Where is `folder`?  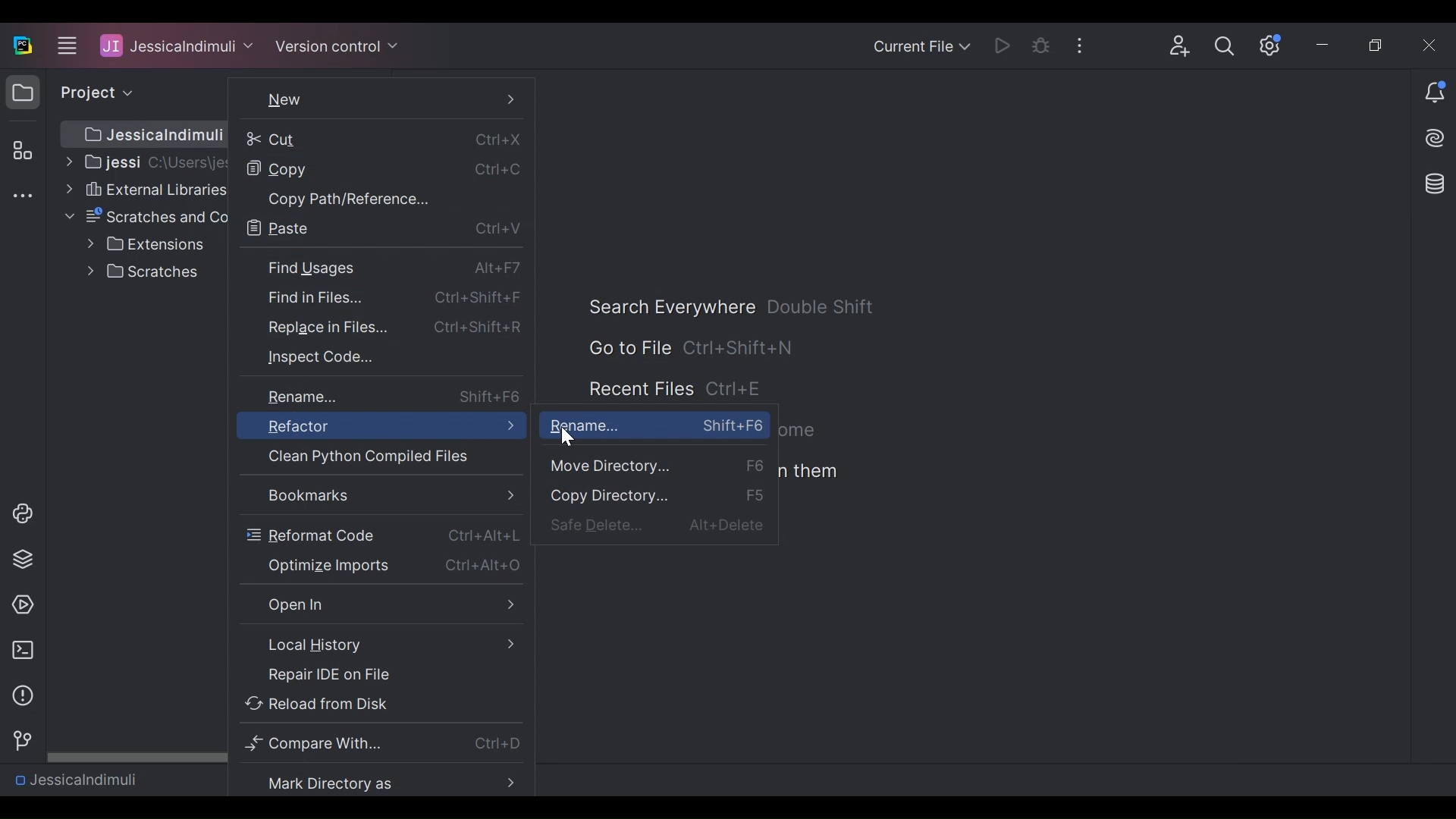
folder is located at coordinates (22, 95).